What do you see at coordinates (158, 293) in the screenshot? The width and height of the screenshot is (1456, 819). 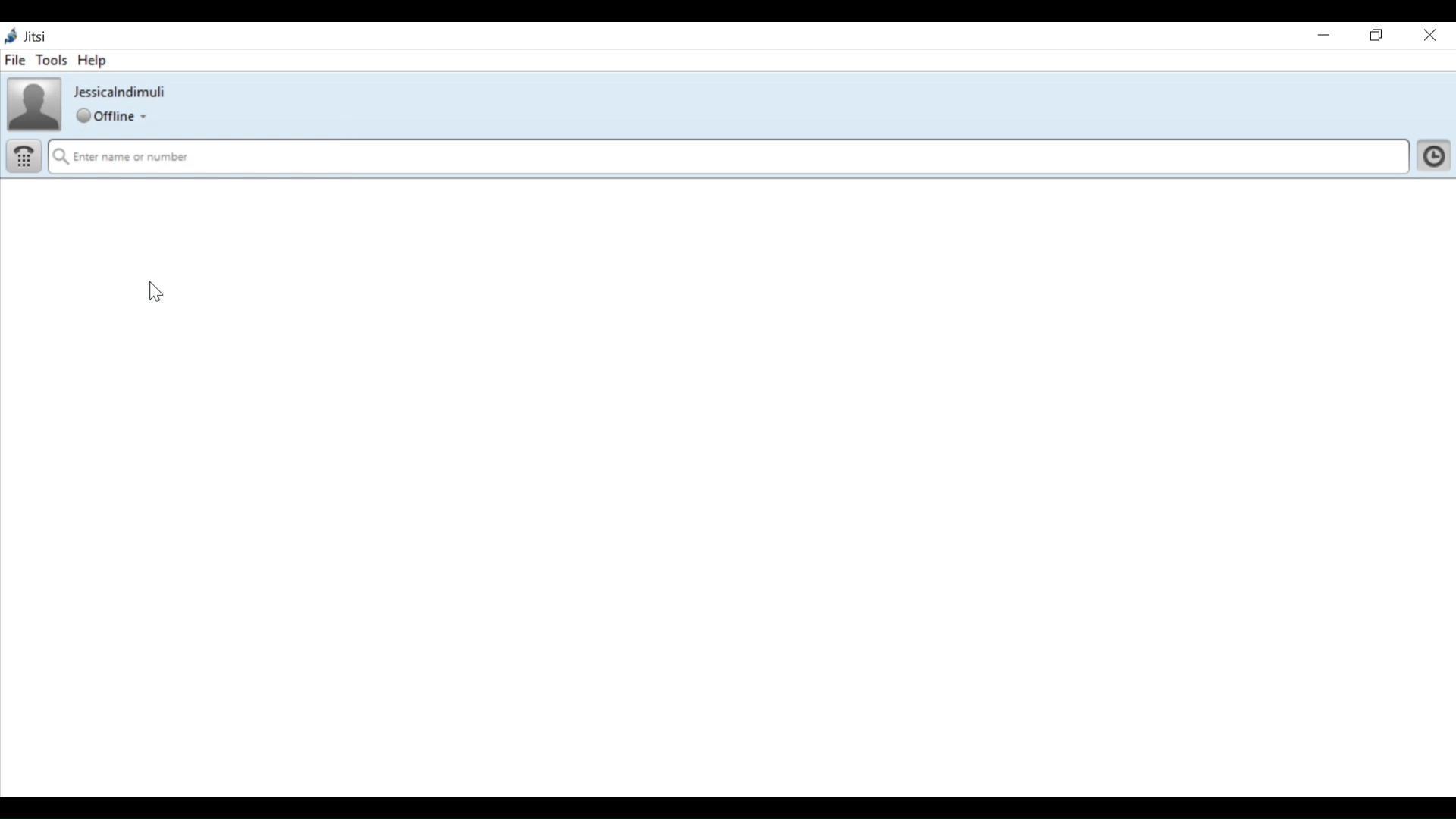 I see `cursor` at bounding box center [158, 293].